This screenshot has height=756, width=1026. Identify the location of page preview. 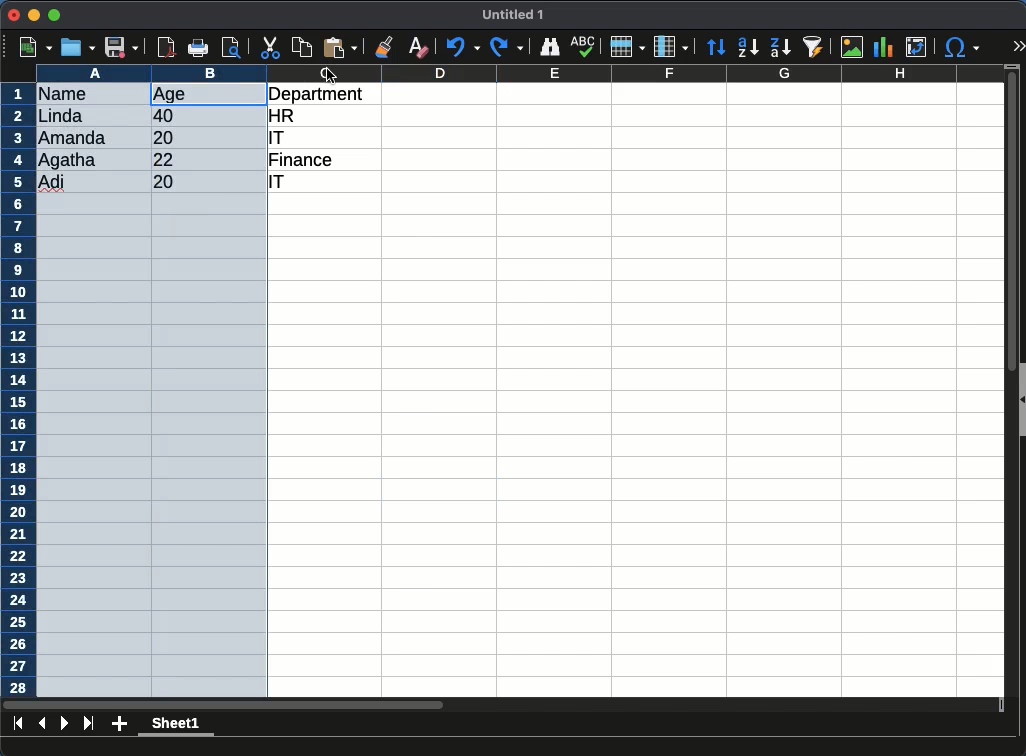
(235, 47).